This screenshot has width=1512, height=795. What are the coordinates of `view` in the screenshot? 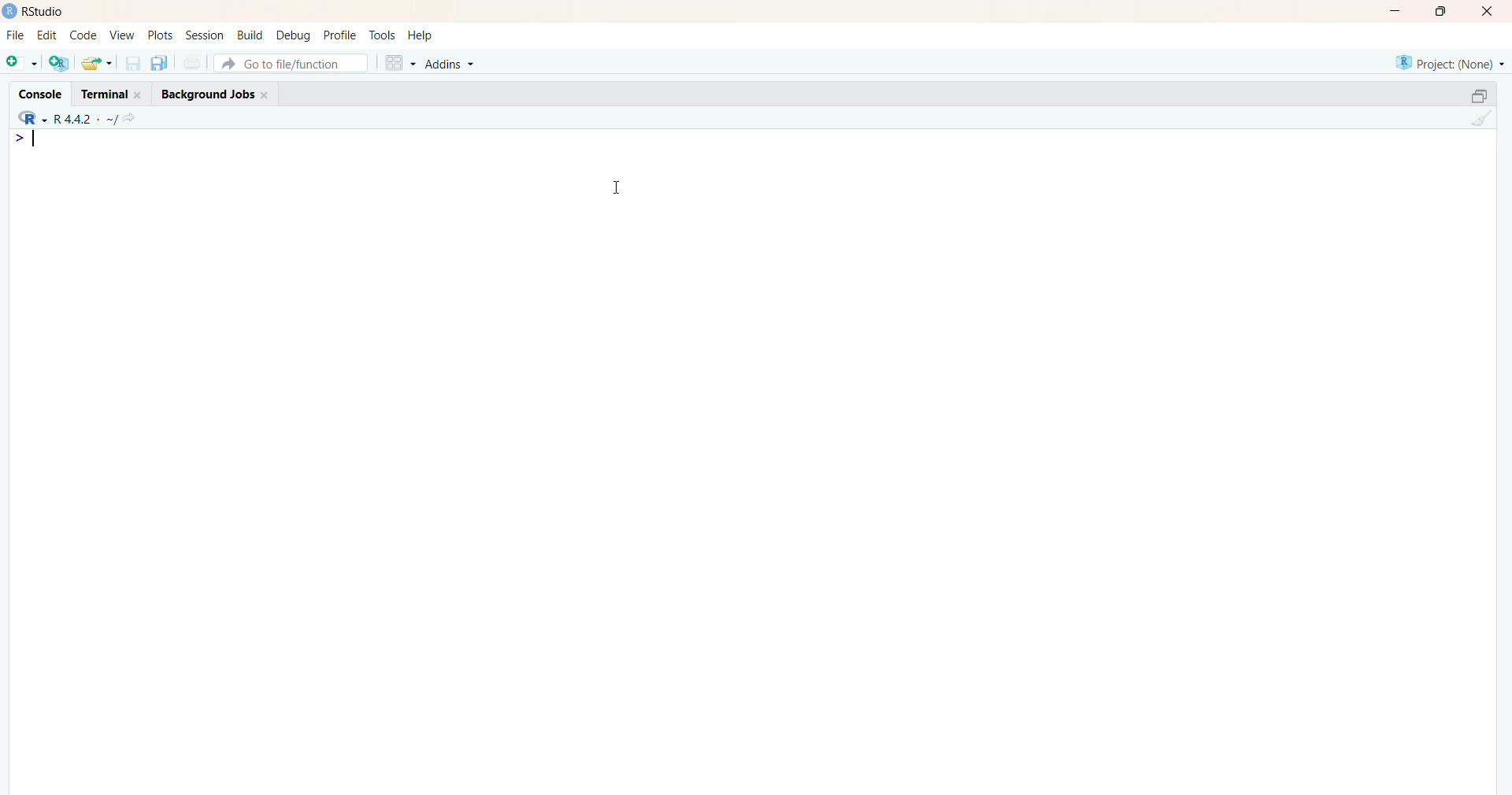 It's located at (121, 34).